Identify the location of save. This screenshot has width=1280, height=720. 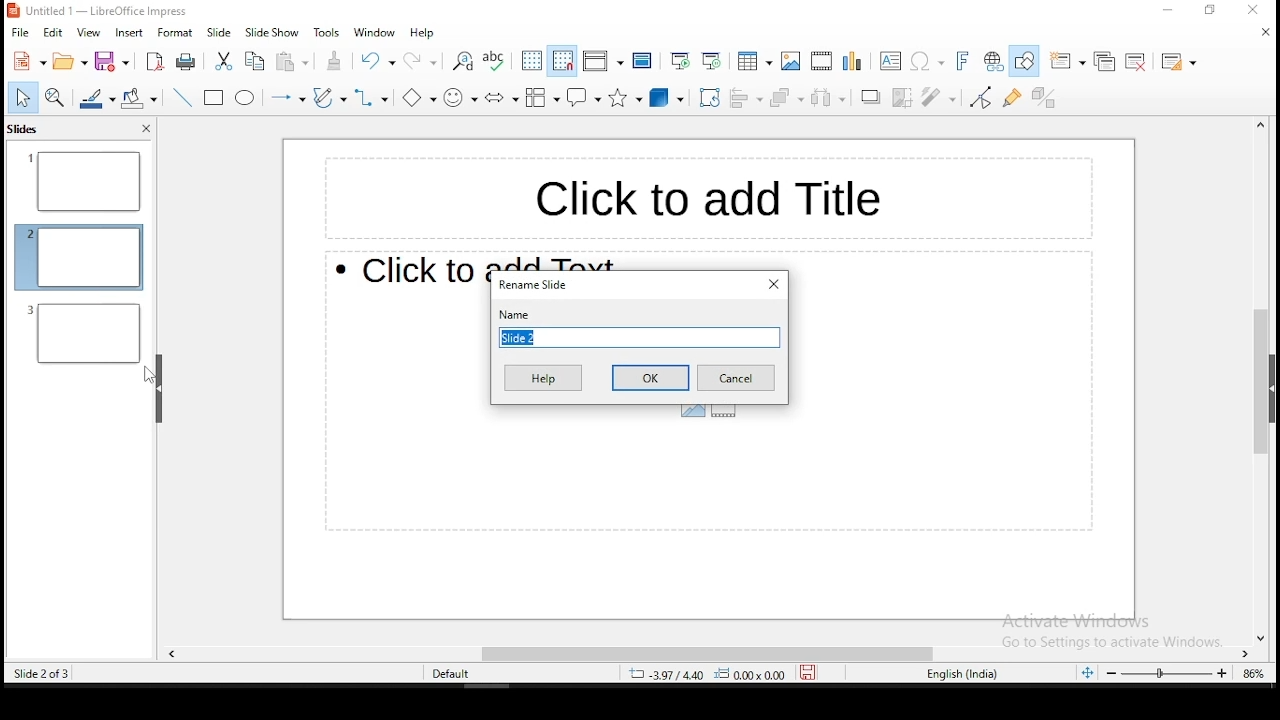
(812, 672).